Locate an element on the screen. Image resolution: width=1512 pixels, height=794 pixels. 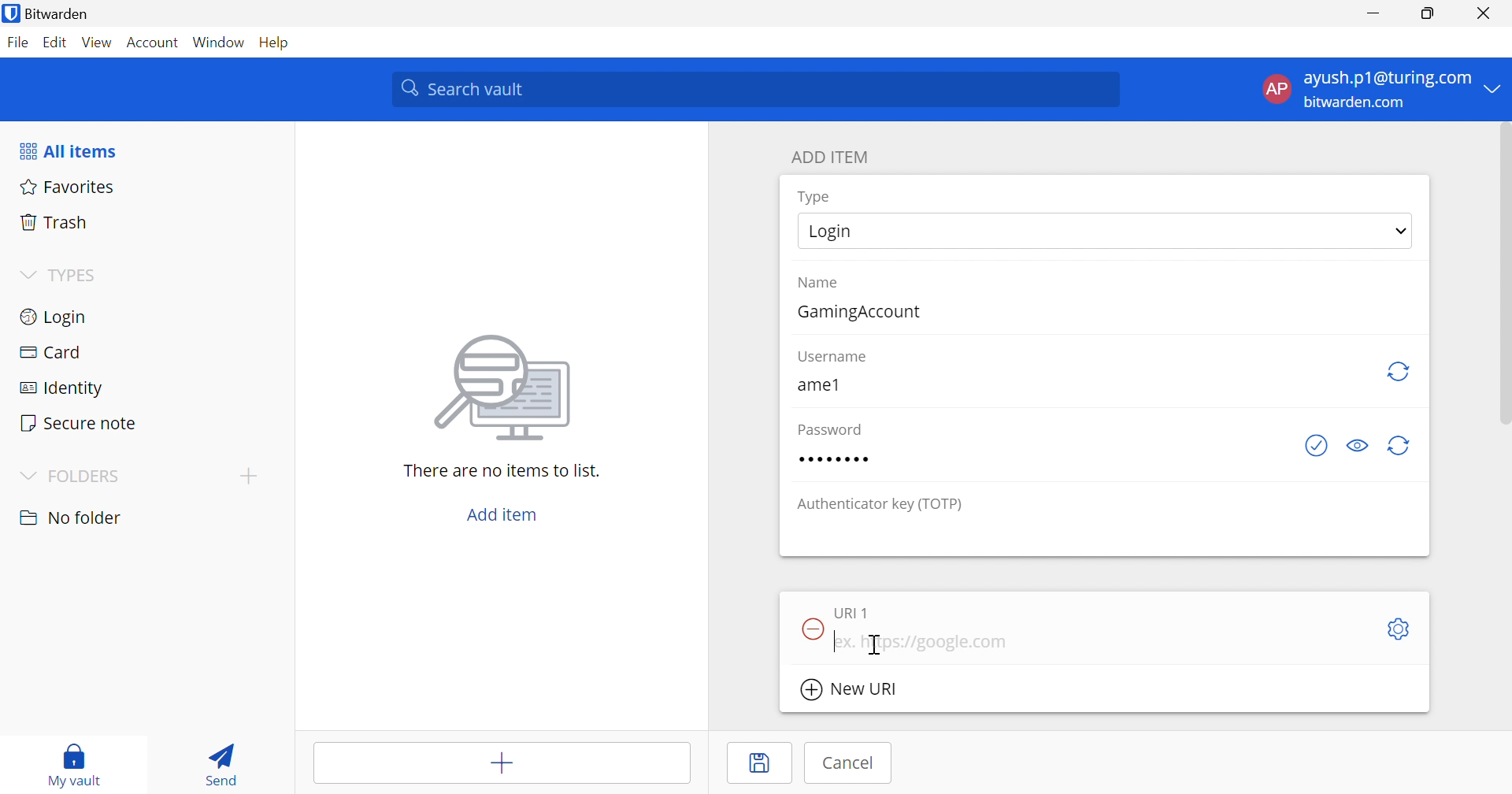
Remove is located at coordinates (810, 627).